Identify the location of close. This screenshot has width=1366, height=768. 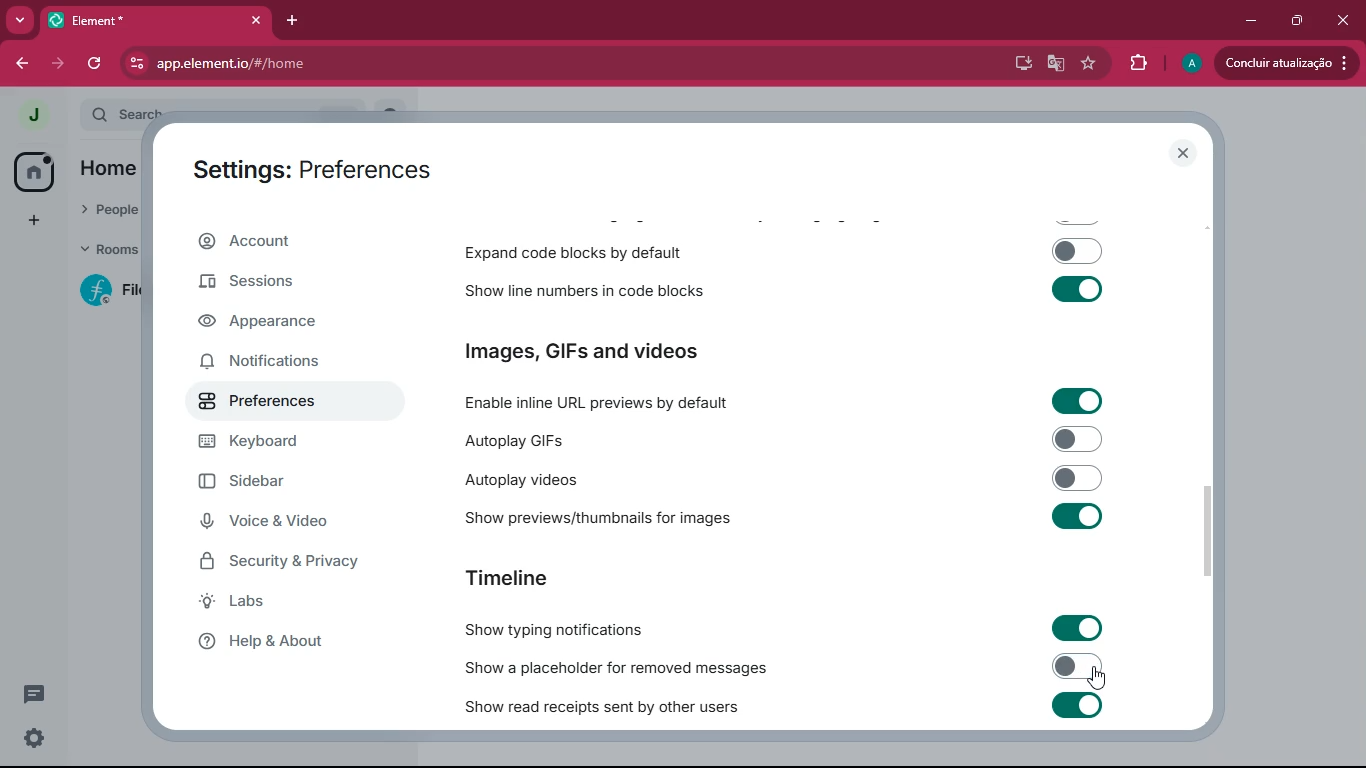
(1180, 152).